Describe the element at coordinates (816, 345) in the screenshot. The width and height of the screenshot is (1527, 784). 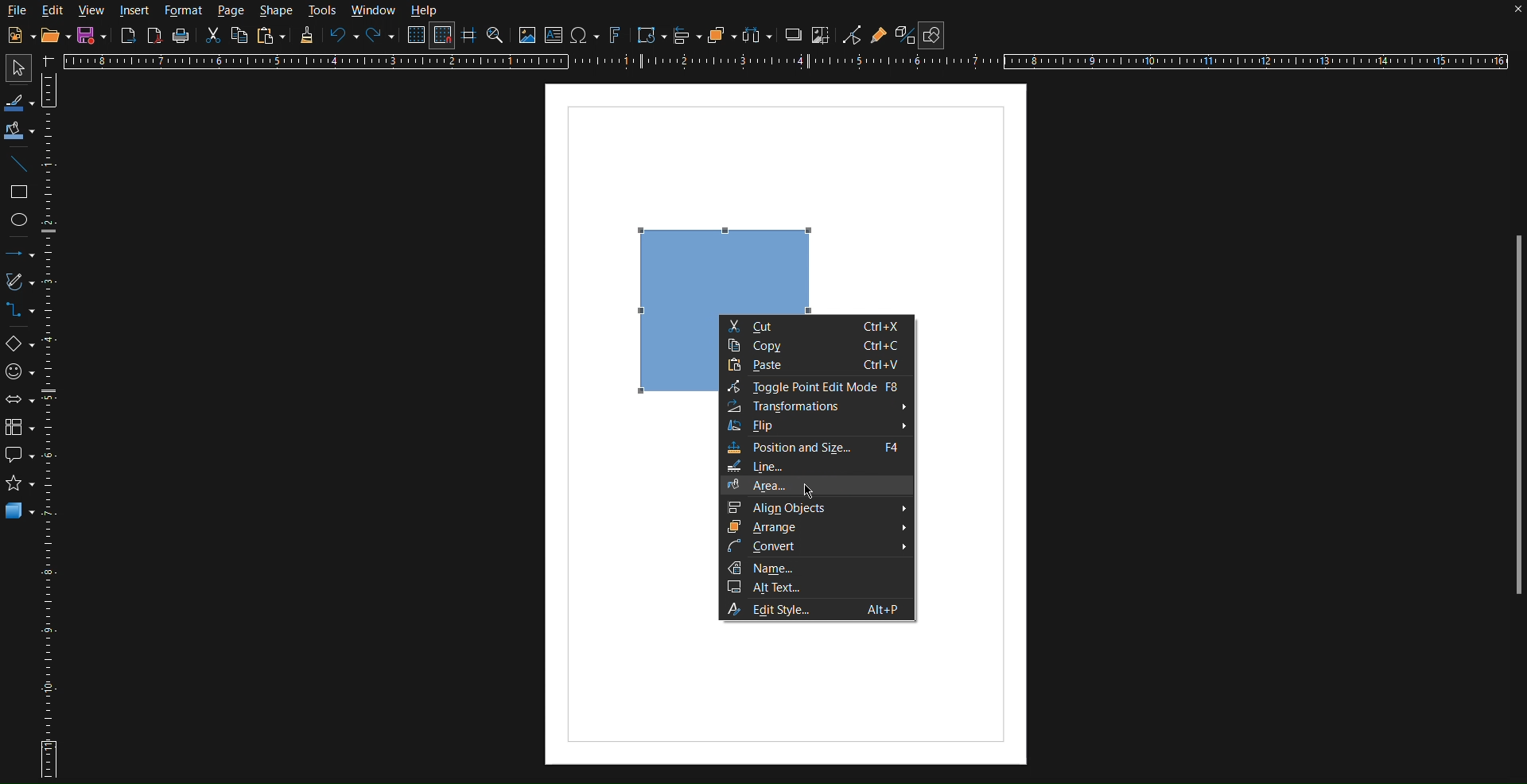
I see `Copy` at that location.